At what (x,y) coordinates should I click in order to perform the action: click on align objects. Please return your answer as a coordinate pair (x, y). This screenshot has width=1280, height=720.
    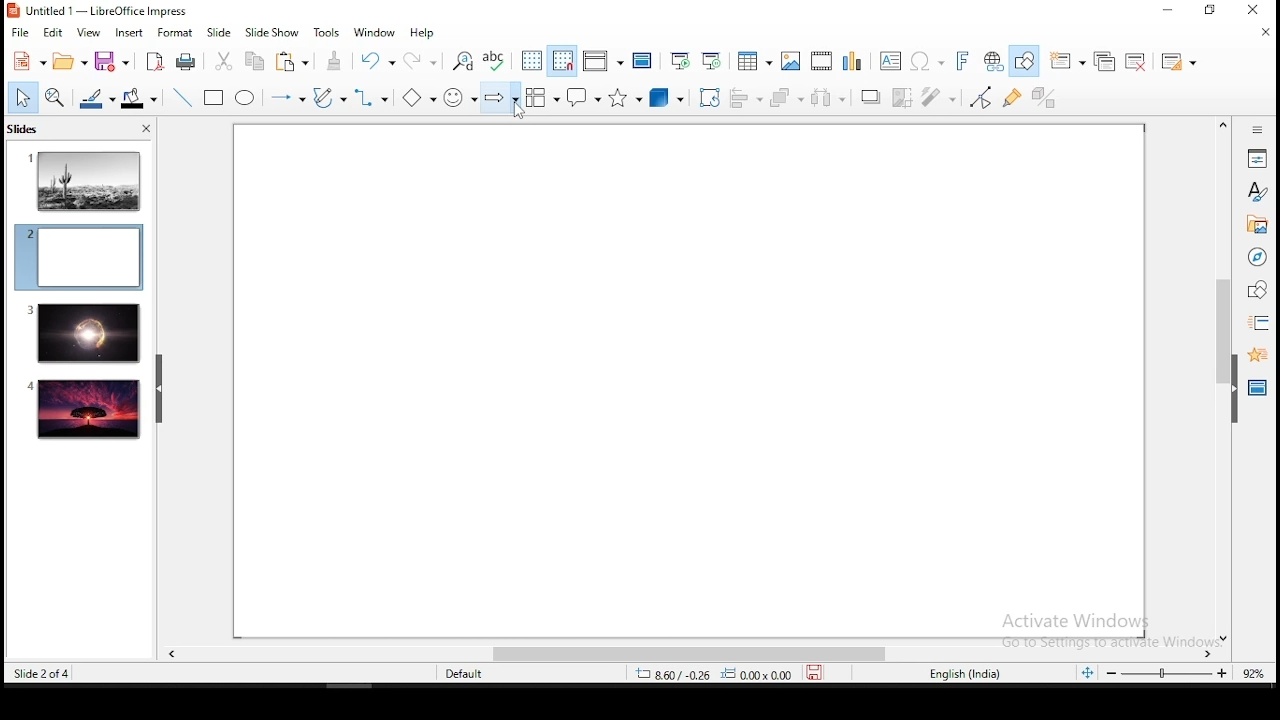
    Looking at the image, I should click on (751, 99).